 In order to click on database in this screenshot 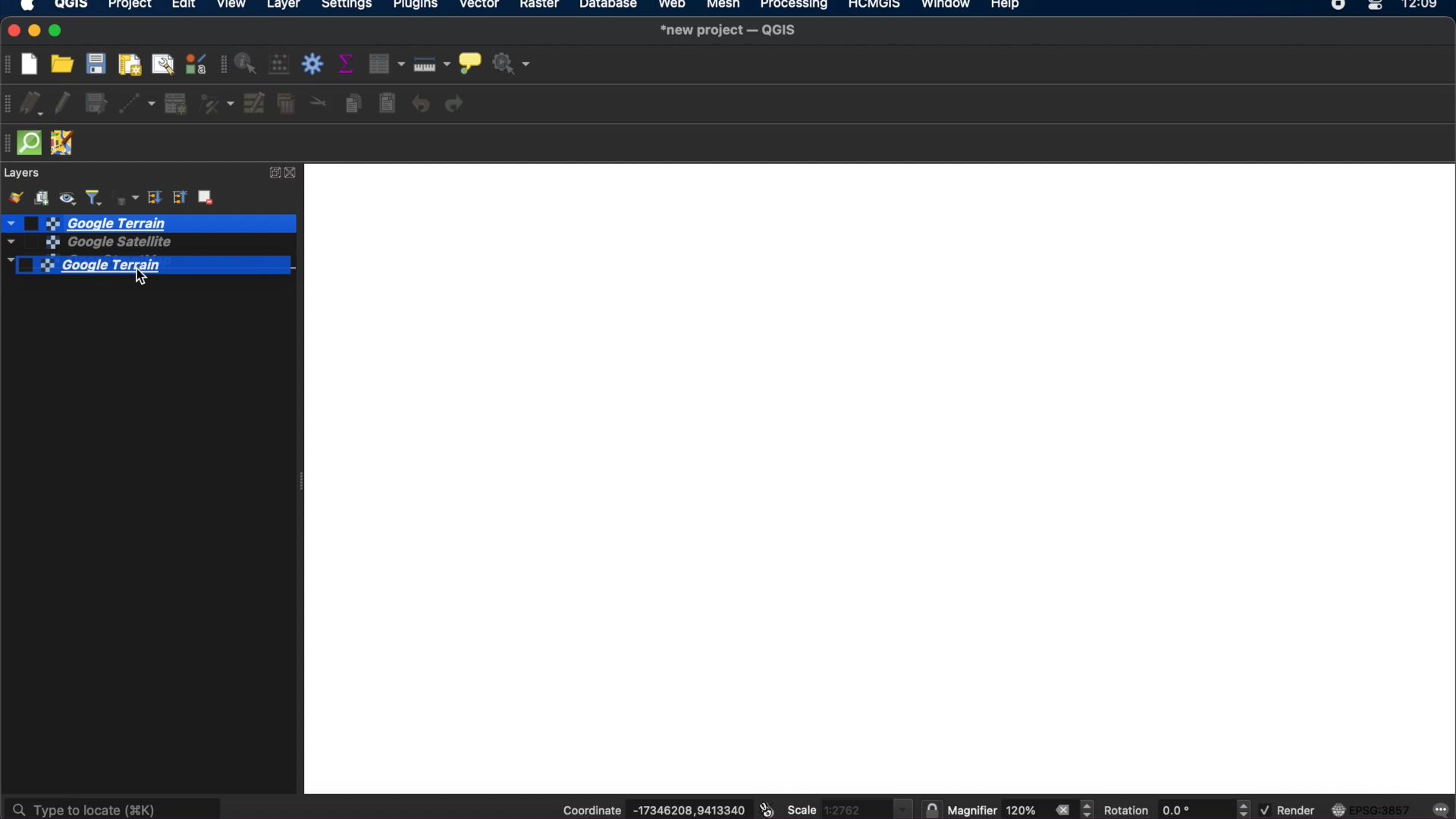, I will do `click(609, 6)`.